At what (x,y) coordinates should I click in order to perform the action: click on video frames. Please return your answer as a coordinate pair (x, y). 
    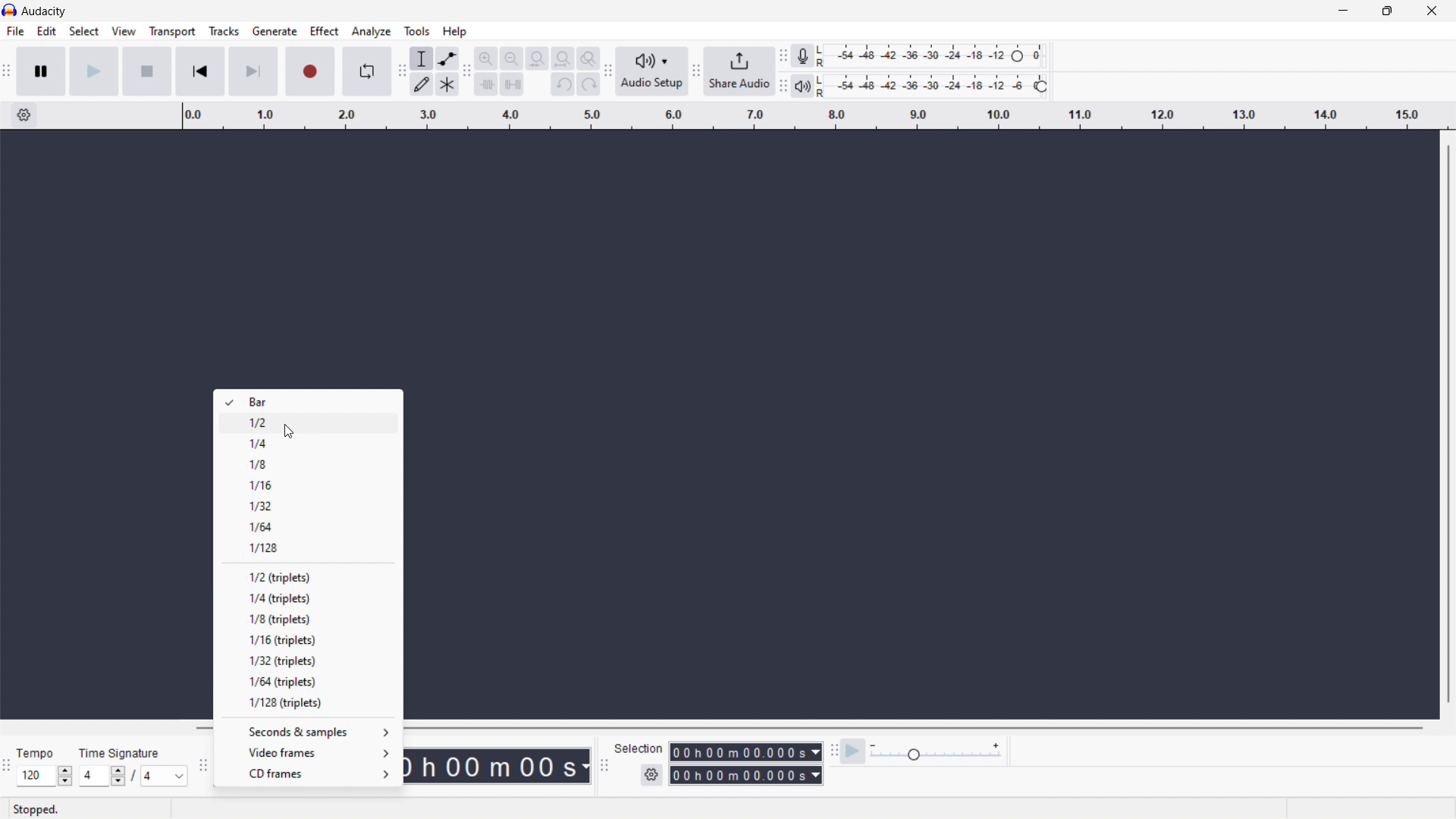
    Looking at the image, I should click on (306, 752).